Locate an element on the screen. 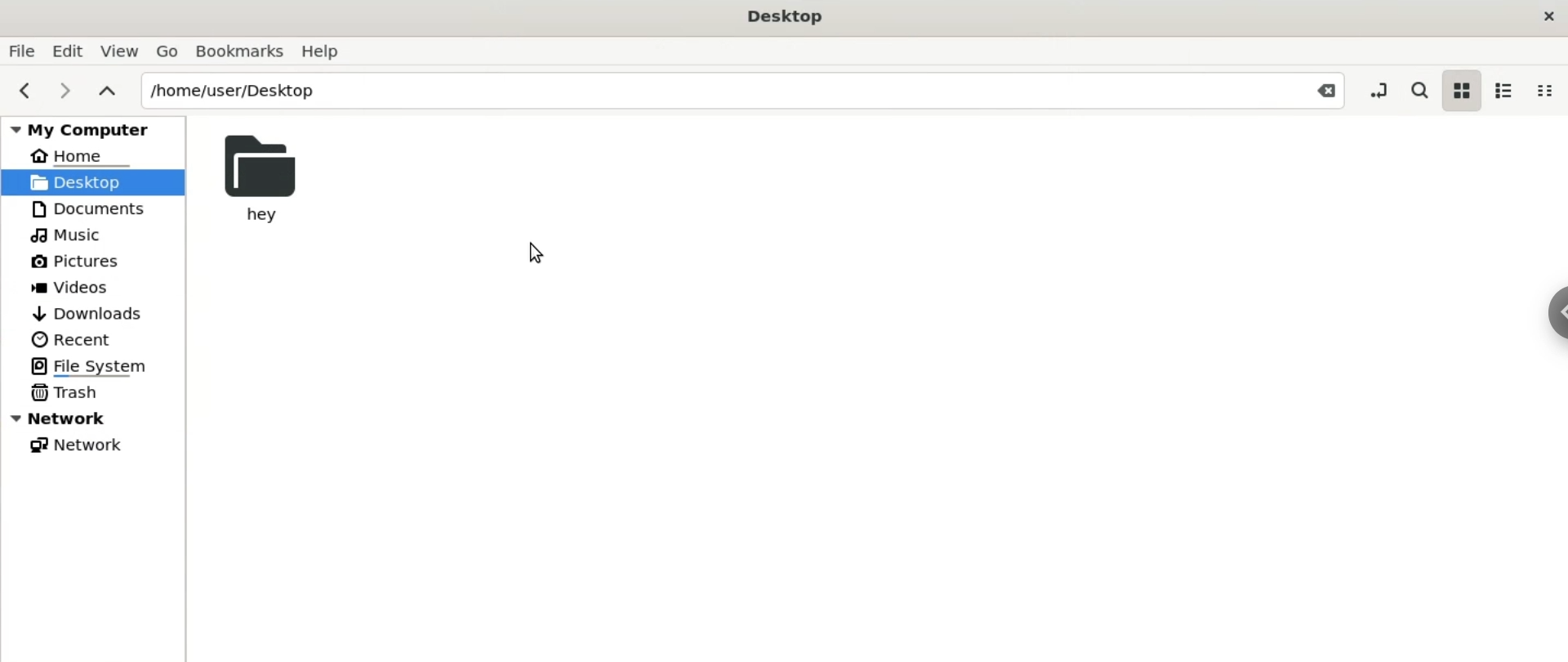  previous is located at coordinates (23, 88).